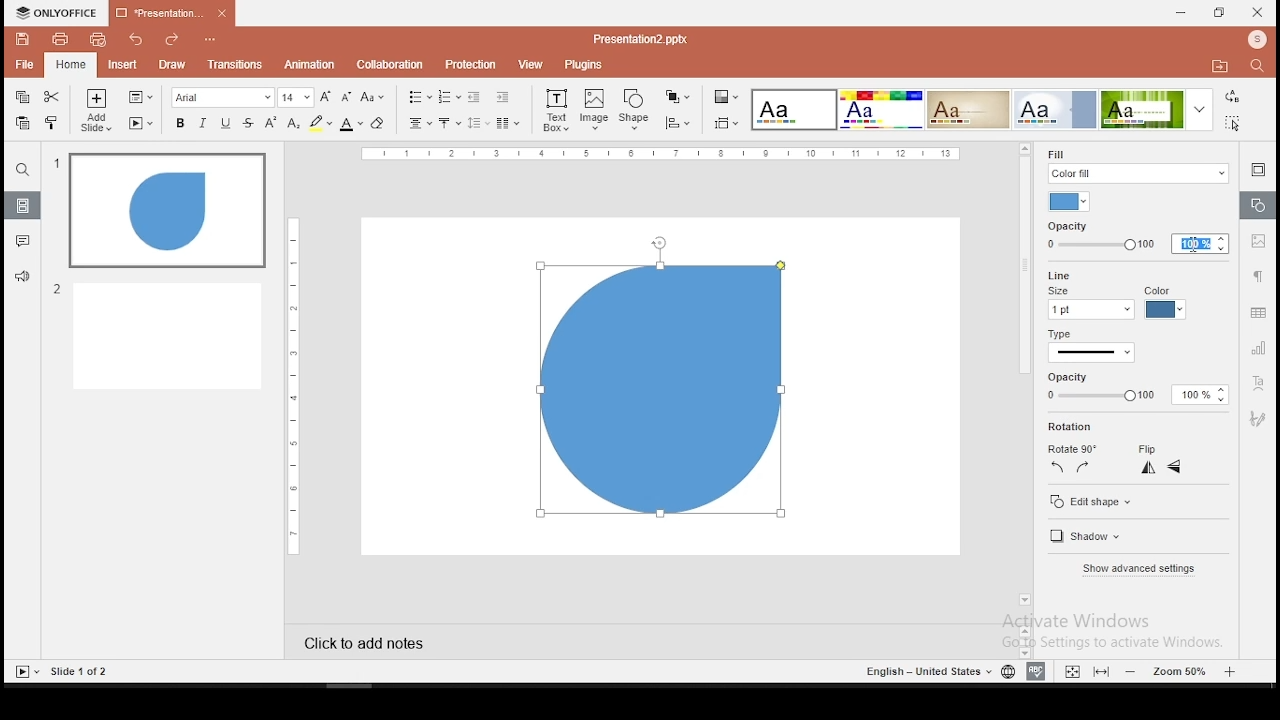 The width and height of the screenshot is (1280, 720). What do you see at coordinates (1132, 671) in the screenshot?
I see `zoom in` at bounding box center [1132, 671].